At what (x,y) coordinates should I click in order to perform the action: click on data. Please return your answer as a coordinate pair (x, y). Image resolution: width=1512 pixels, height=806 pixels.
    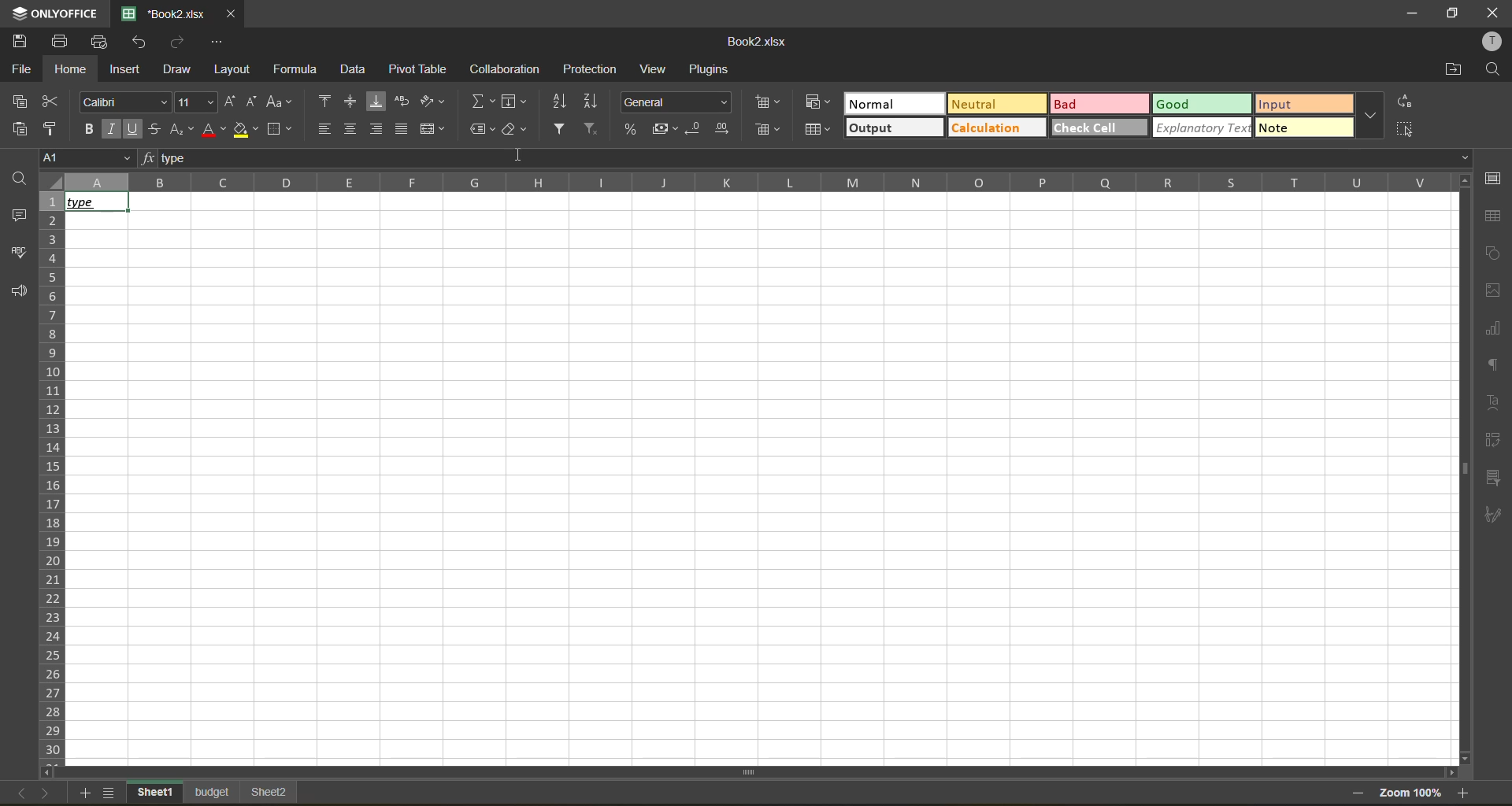
    Looking at the image, I should click on (355, 68).